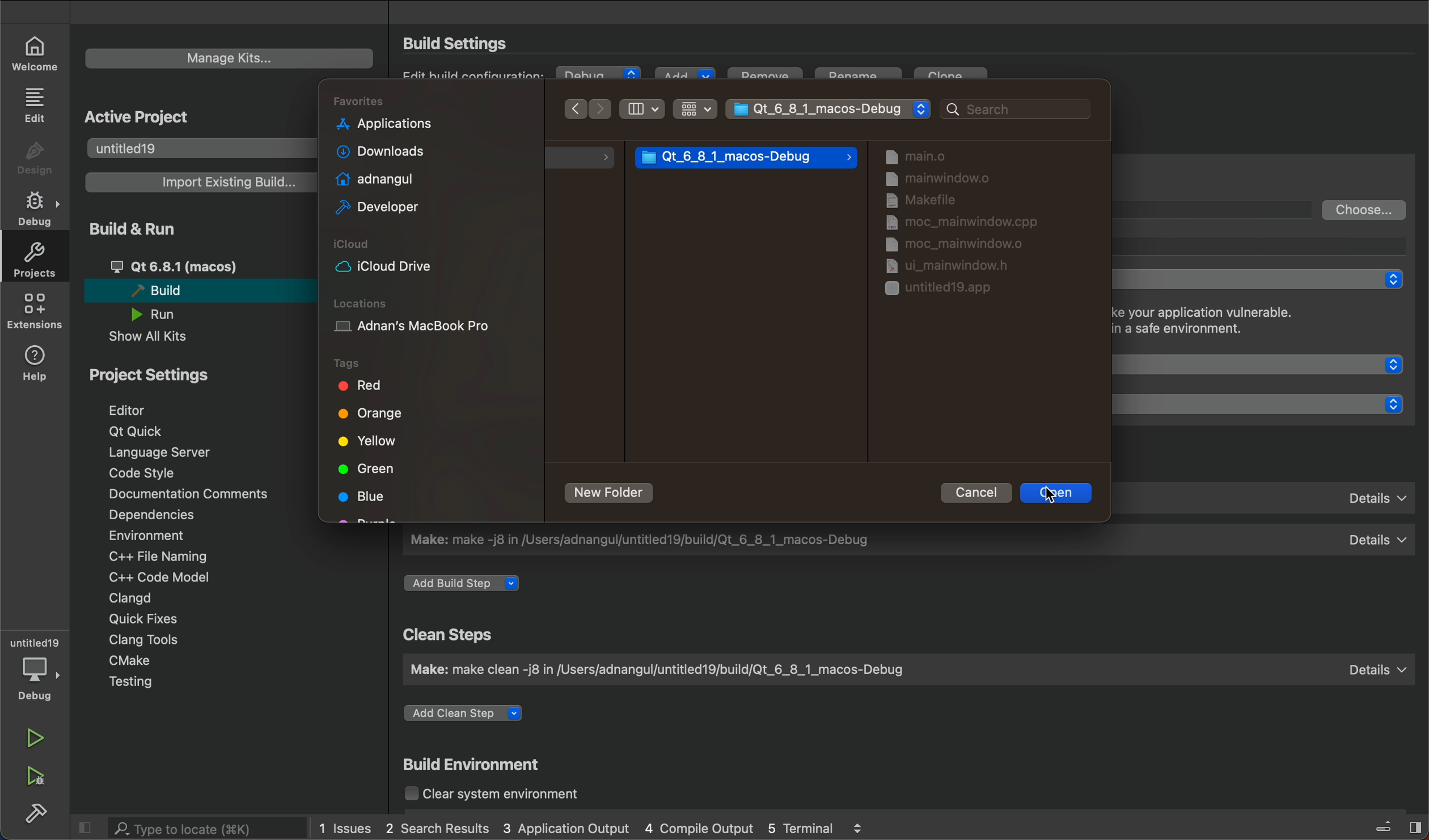  What do you see at coordinates (35, 642) in the screenshot?
I see `untitled` at bounding box center [35, 642].